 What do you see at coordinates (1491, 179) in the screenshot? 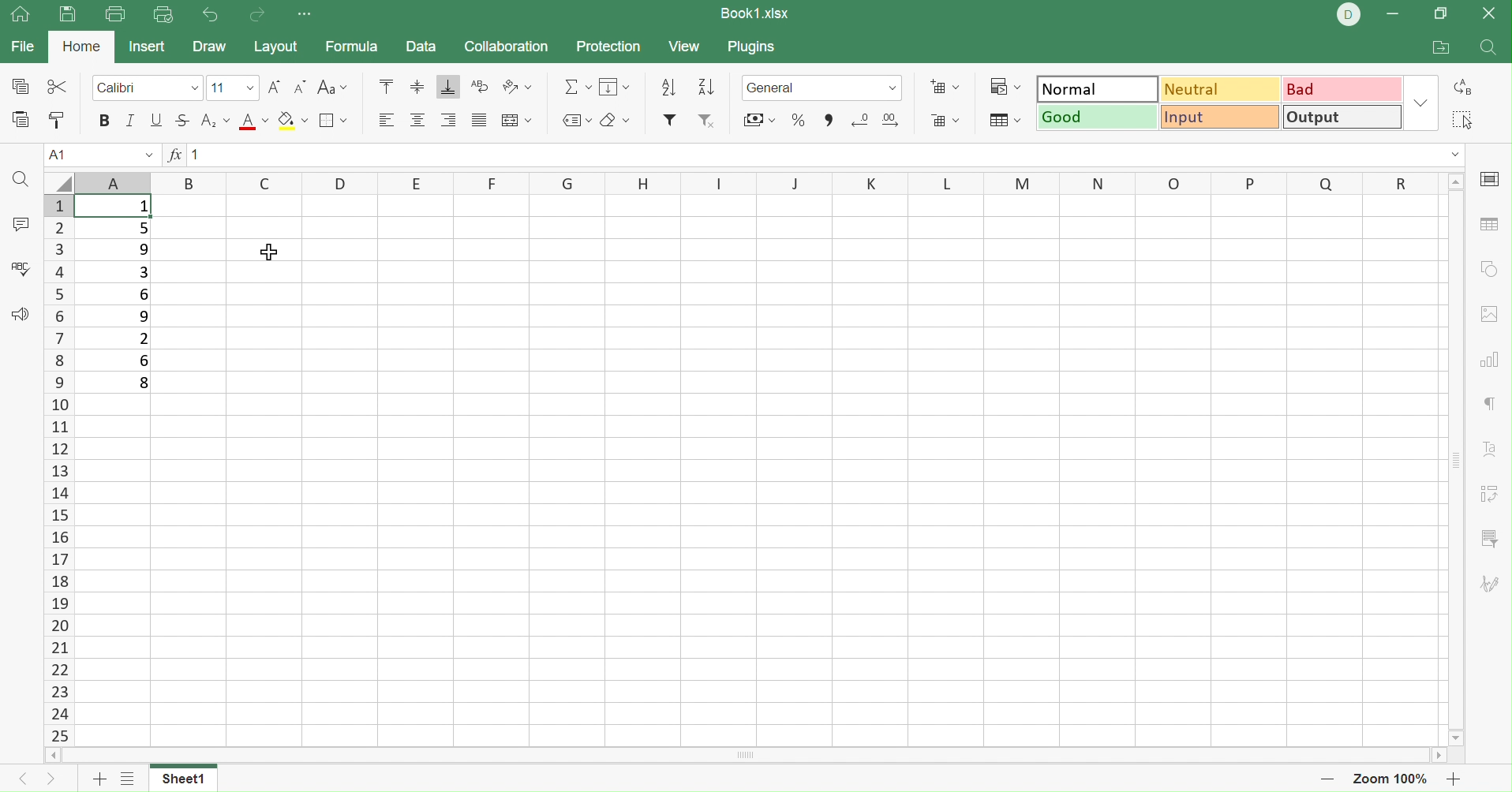
I see `Slide settings` at bounding box center [1491, 179].